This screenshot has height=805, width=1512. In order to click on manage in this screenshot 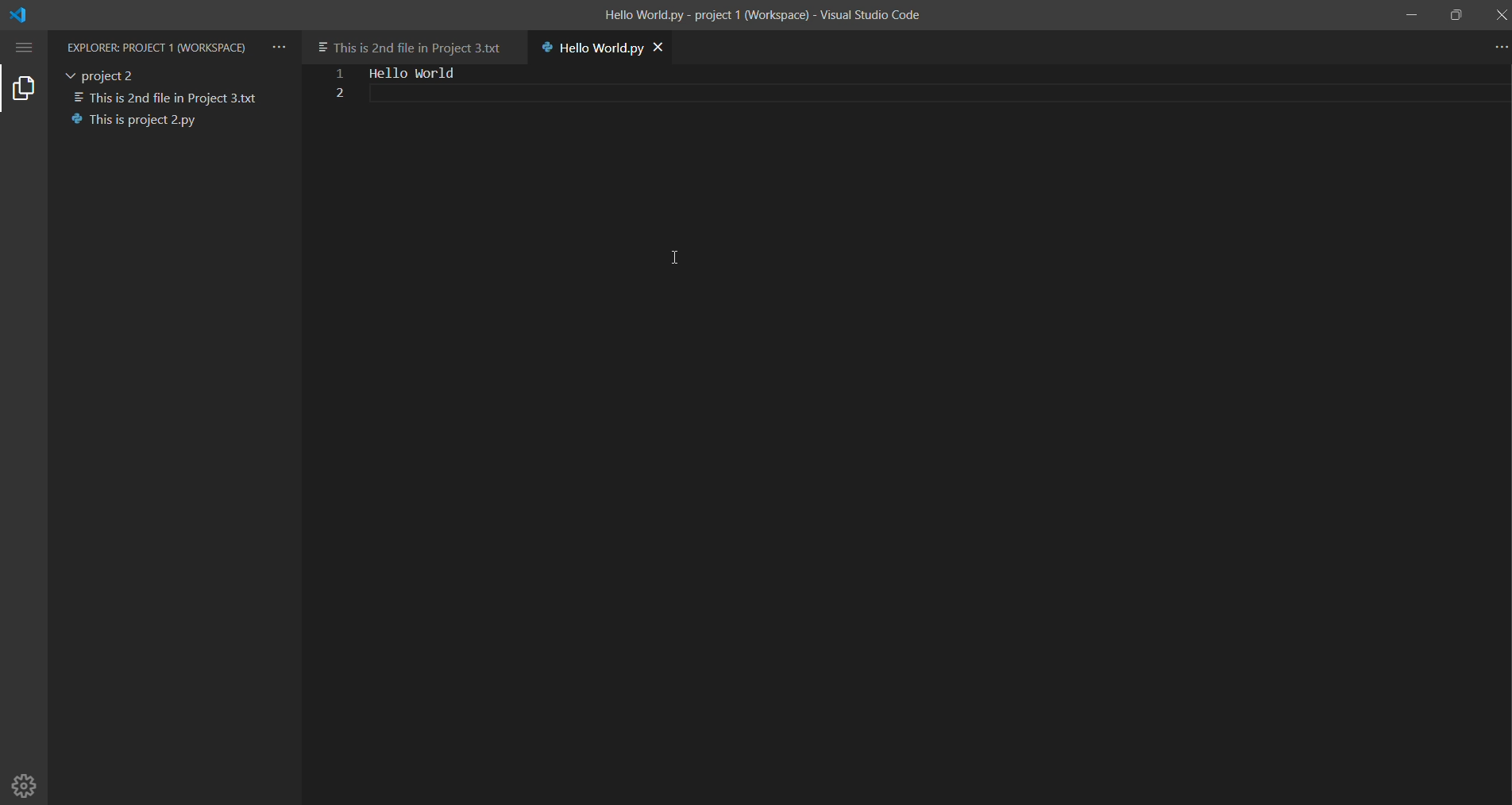, I will do `click(26, 784)`.